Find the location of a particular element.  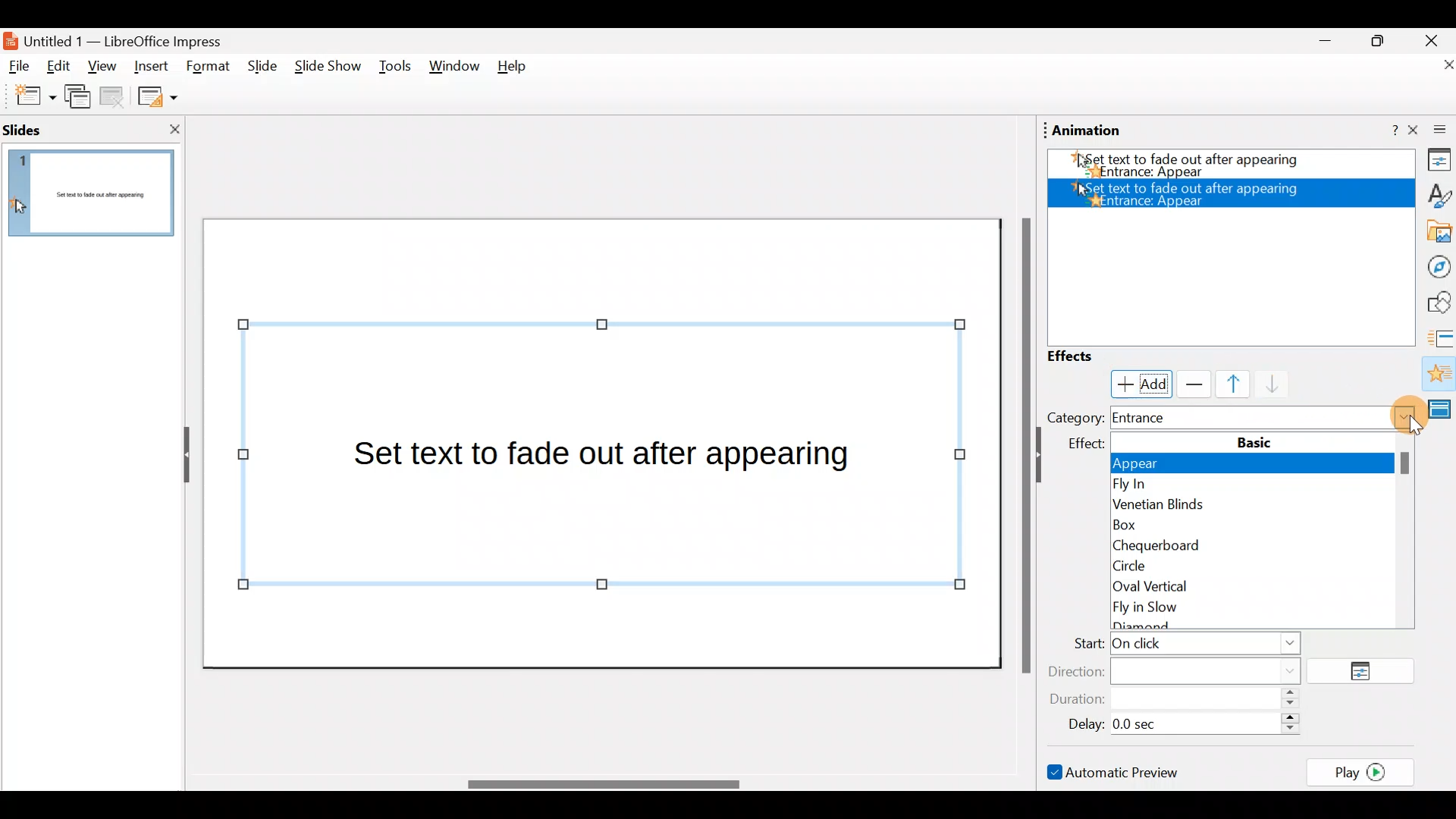

Navigator is located at coordinates (1435, 265).